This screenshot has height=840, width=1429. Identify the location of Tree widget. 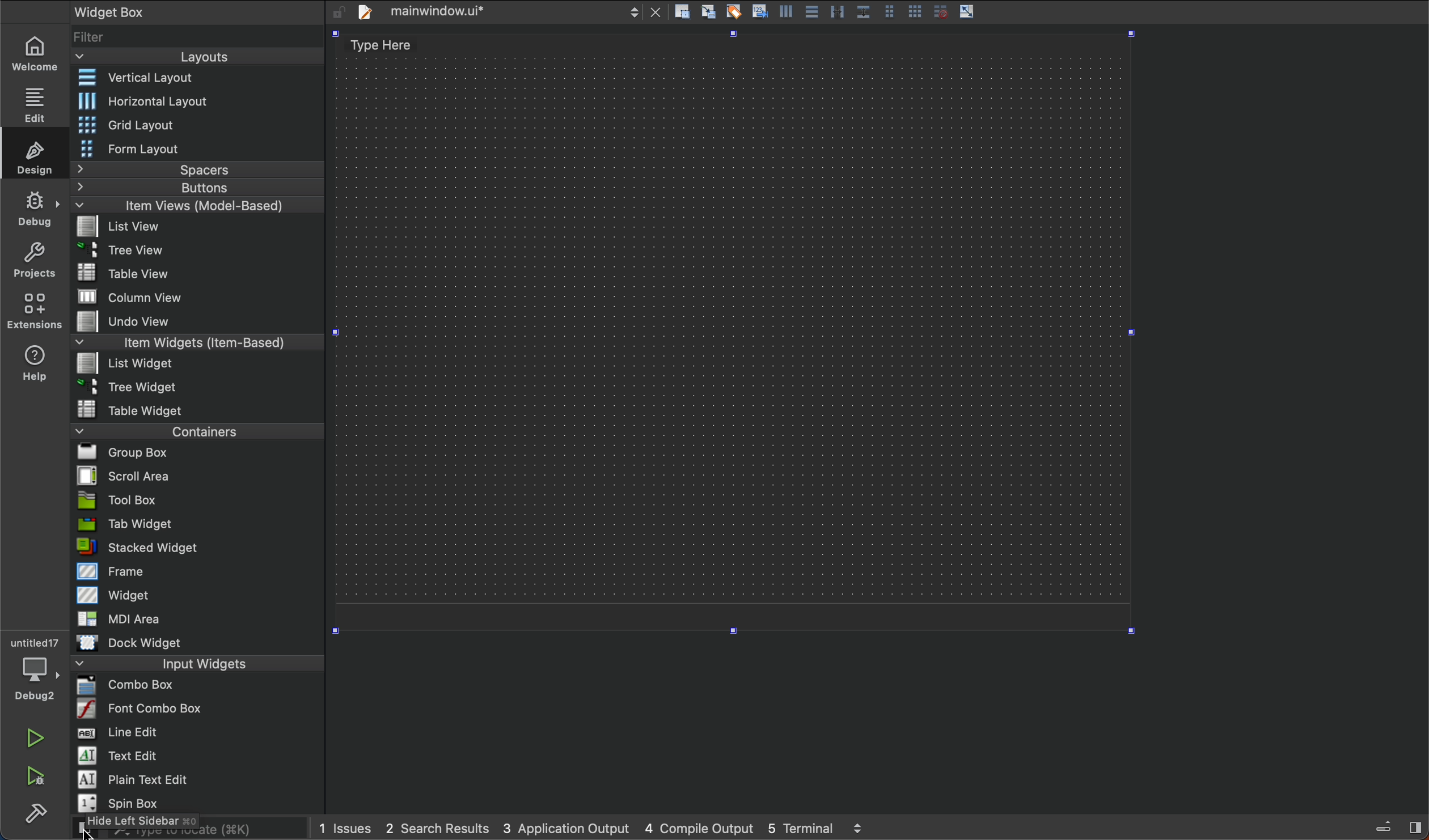
(128, 387).